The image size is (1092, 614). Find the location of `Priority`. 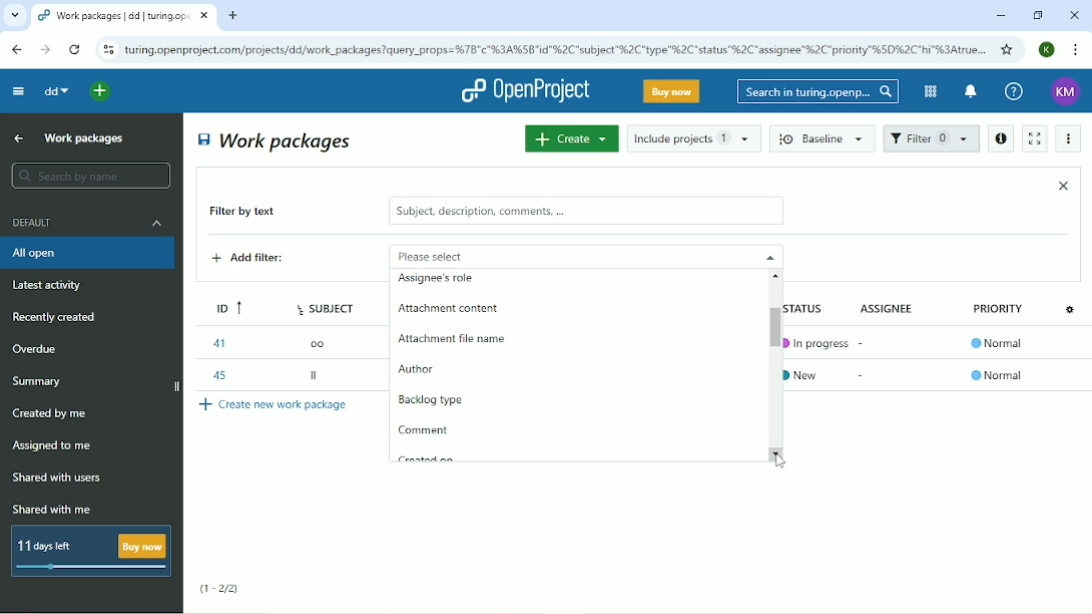

Priority is located at coordinates (1000, 314).